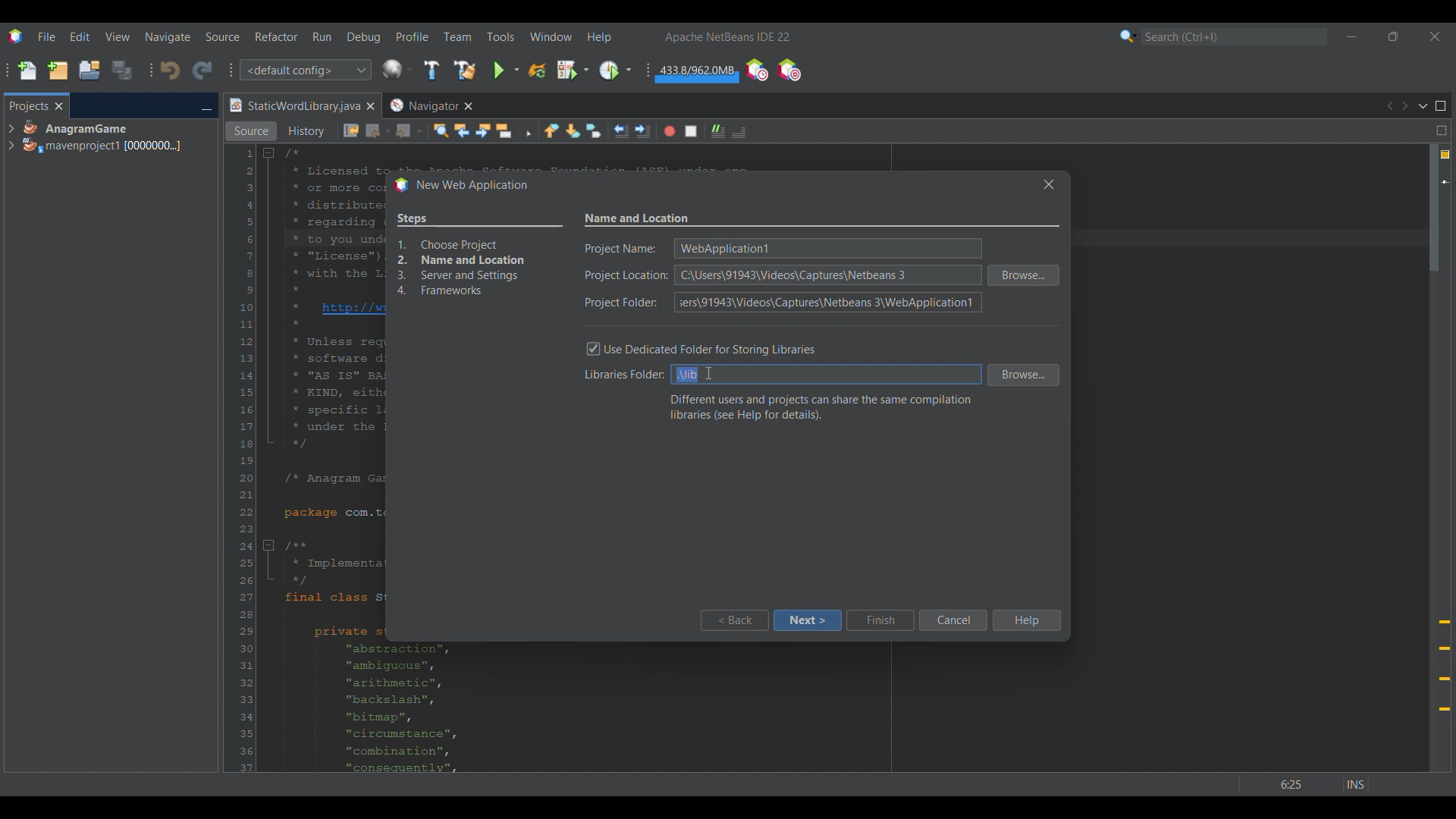 This screenshot has height=819, width=1456. I want to click on Stop macro recording, so click(691, 131).